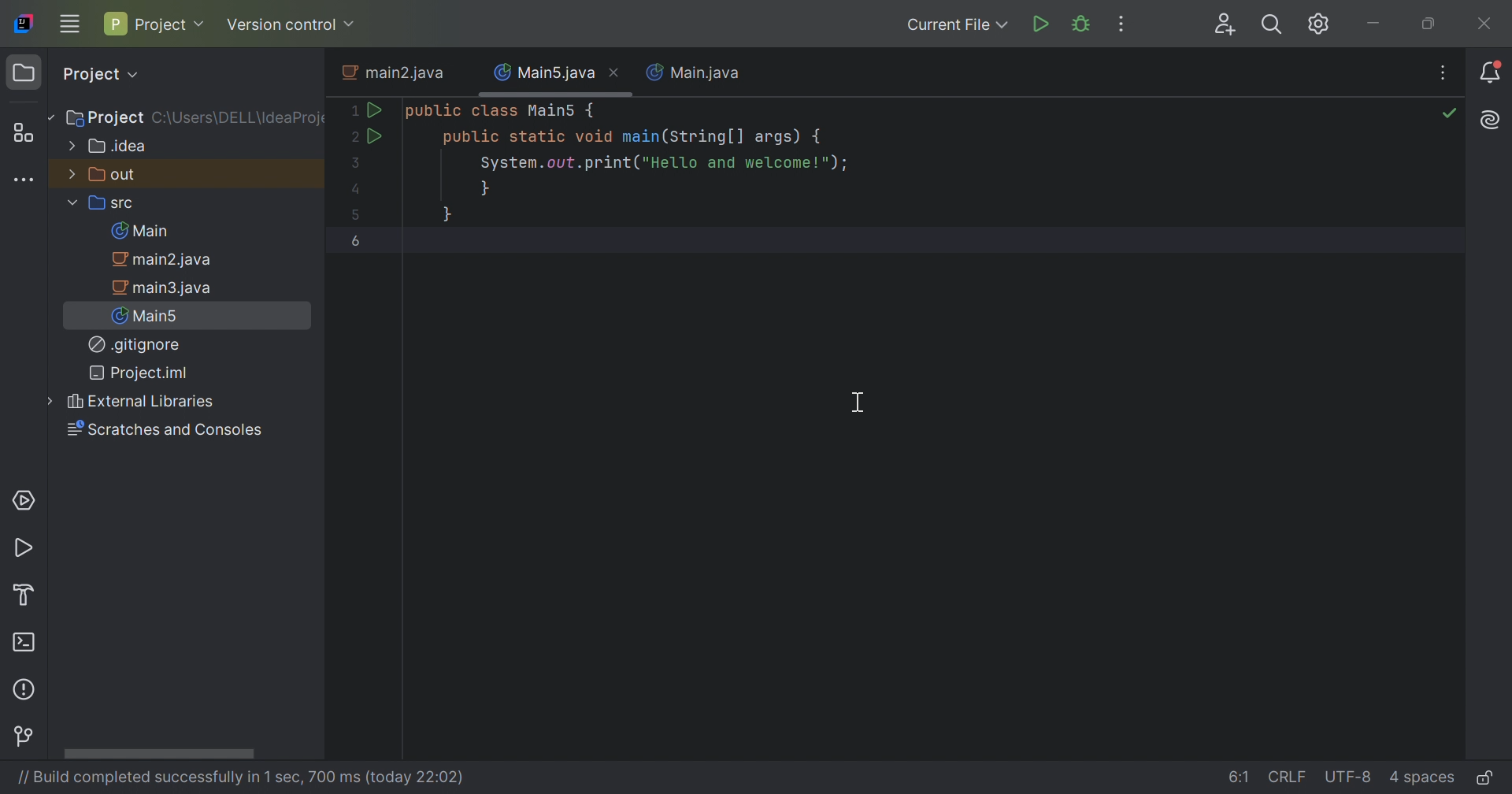 This screenshot has height=794, width=1512. What do you see at coordinates (954, 24) in the screenshot?
I see `Current File` at bounding box center [954, 24].